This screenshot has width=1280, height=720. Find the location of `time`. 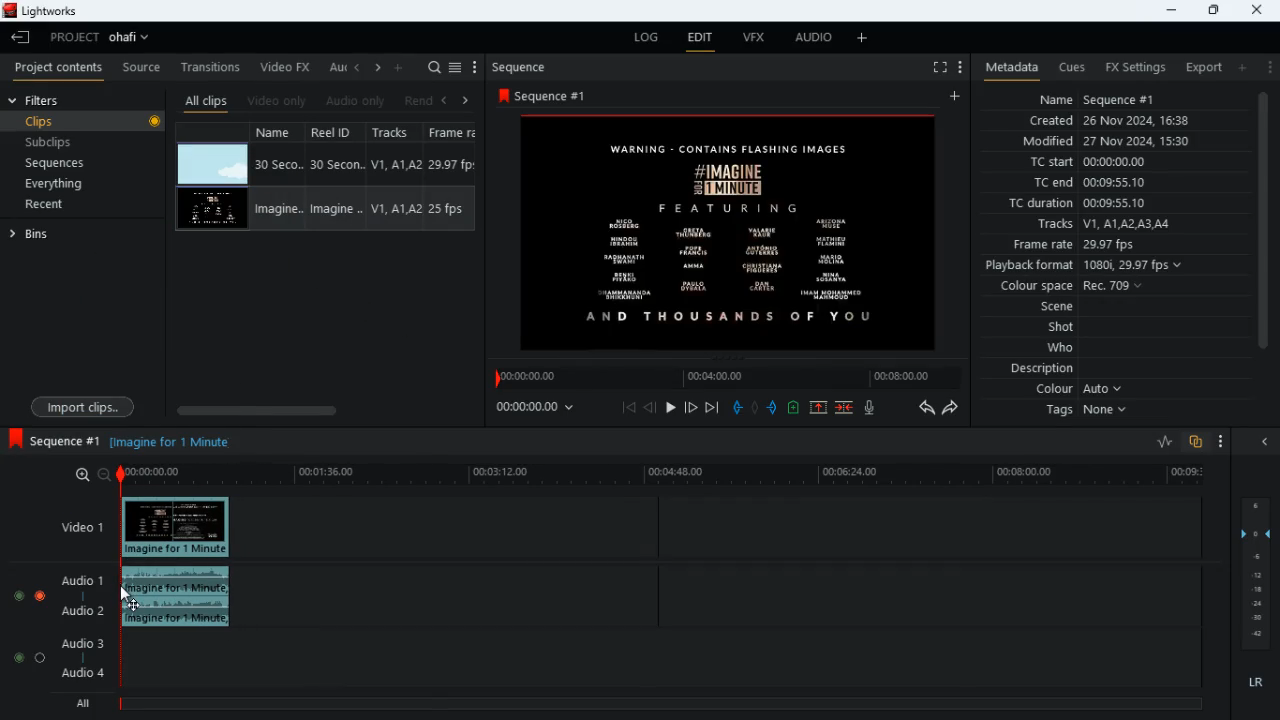

time is located at coordinates (544, 406).